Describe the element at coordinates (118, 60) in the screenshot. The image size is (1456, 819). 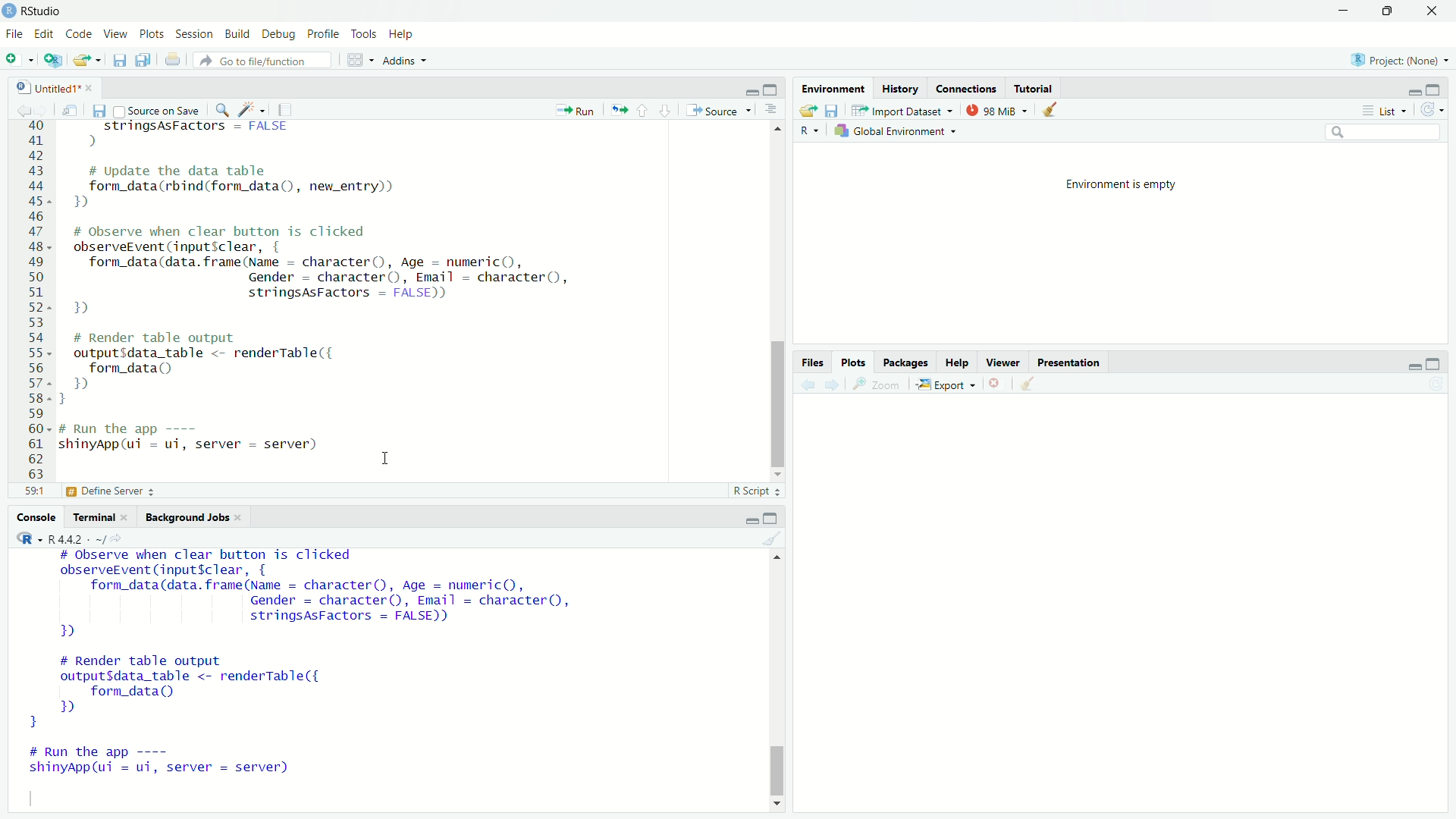
I see `save current documents` at that location.